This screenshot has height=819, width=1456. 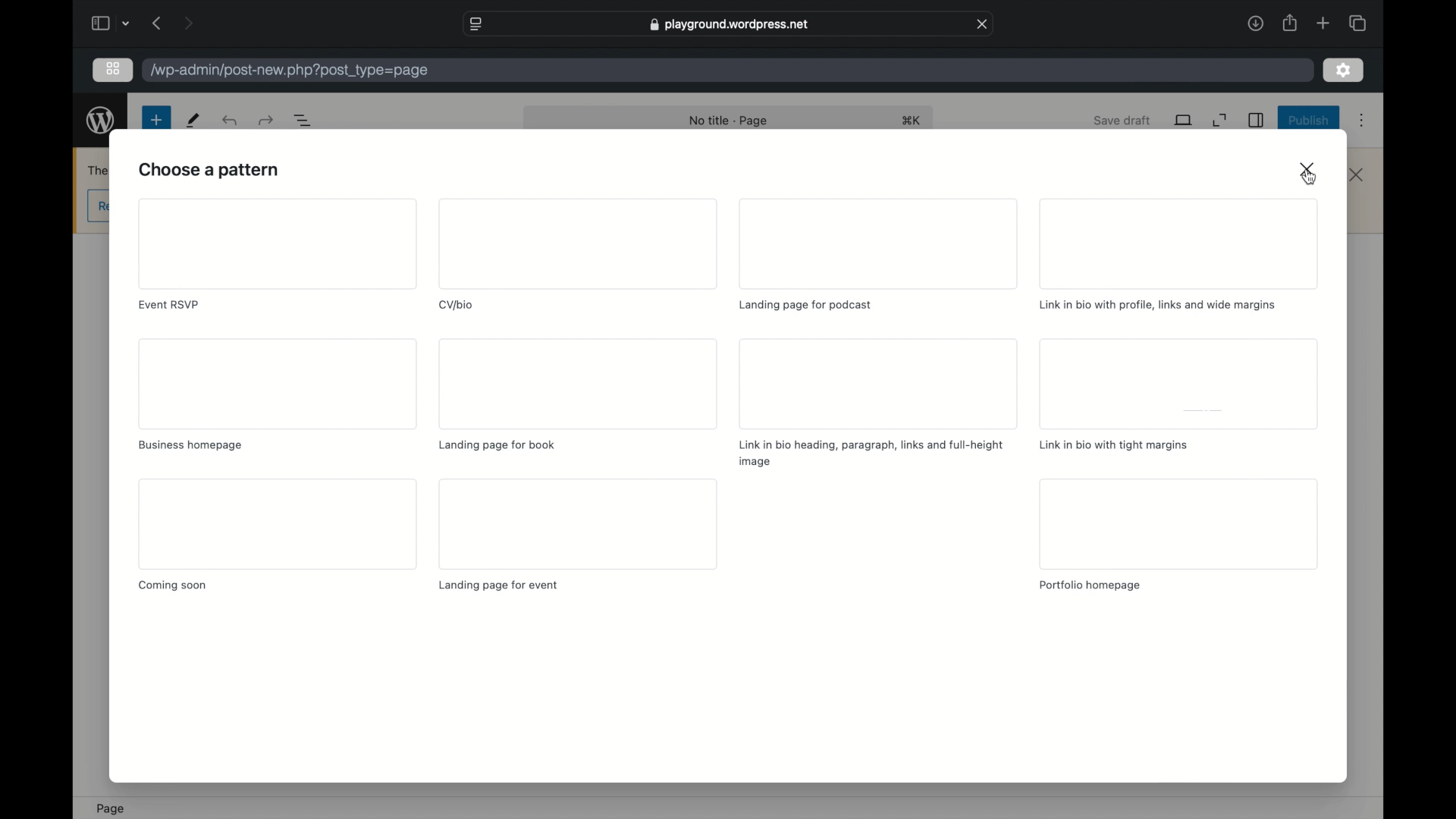 What do you see at coordinates (1113, 446) in the screenshot?
I see `link in bio with tight margins` at bounding box center [1113, 446].